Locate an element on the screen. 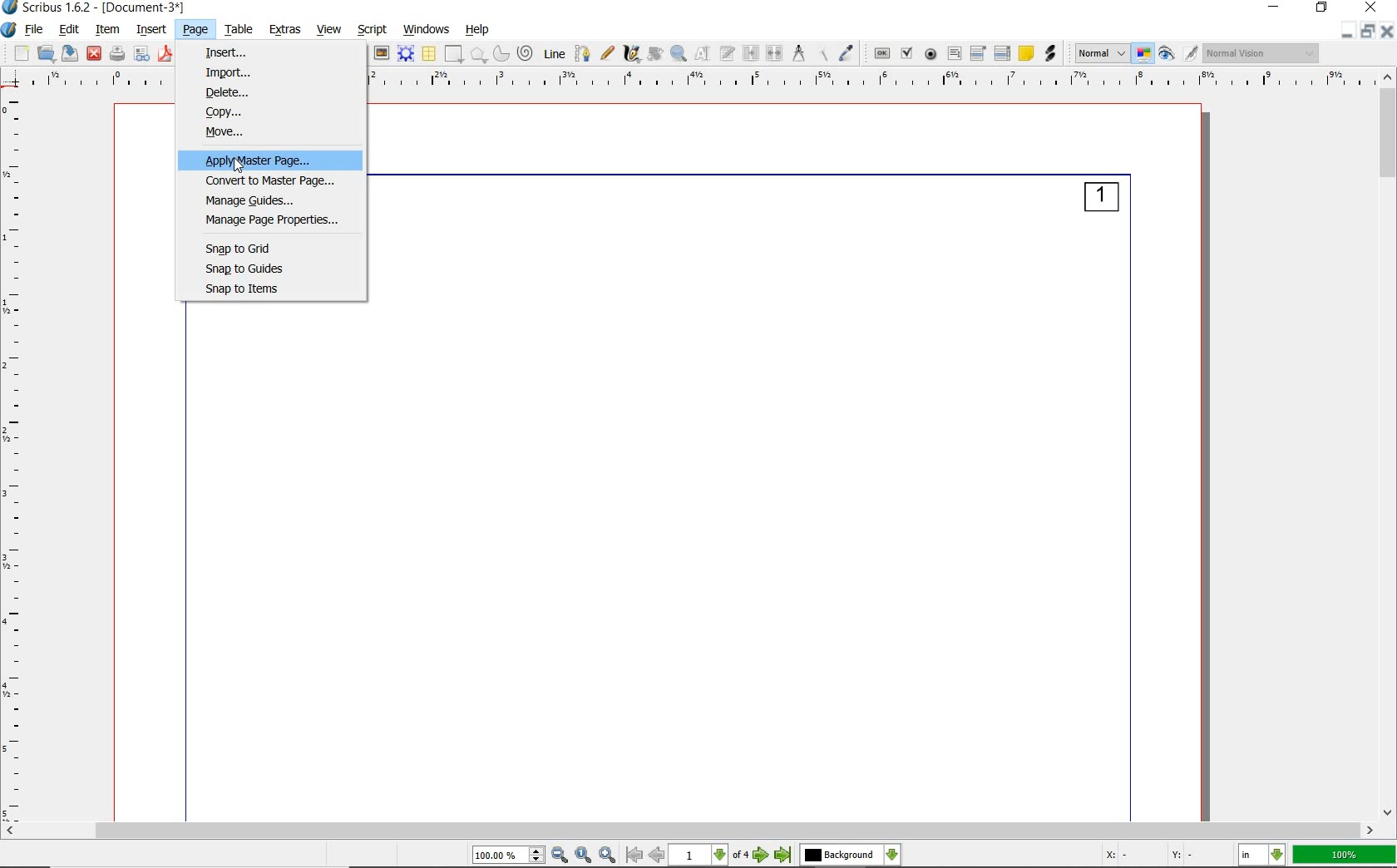 Image resolution: width=1397 pixels, height=868 pixels. snap to guides is located at coordinates (249, 267).